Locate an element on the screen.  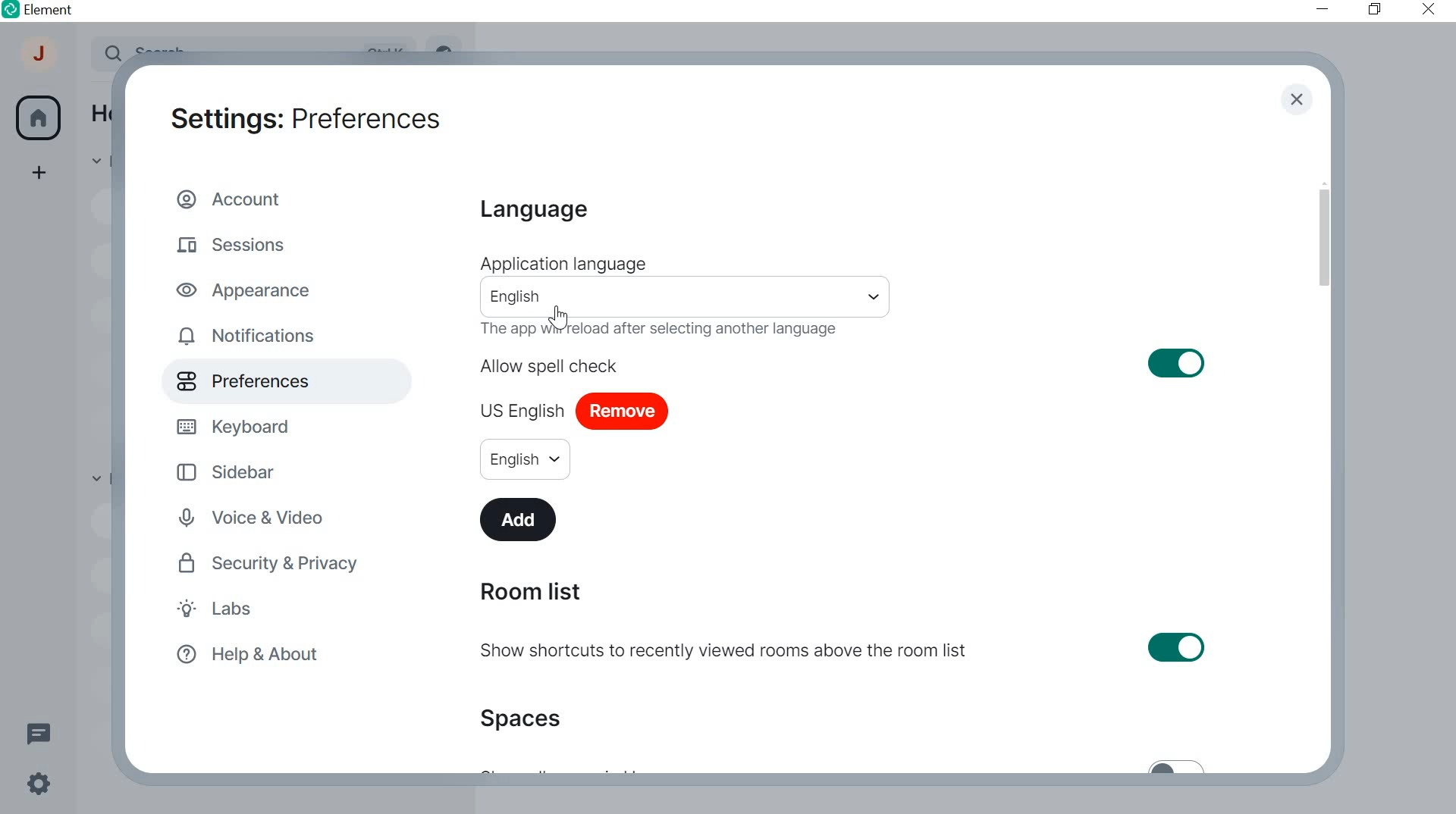
APPEARANCE is located at coordinates (251, 289).